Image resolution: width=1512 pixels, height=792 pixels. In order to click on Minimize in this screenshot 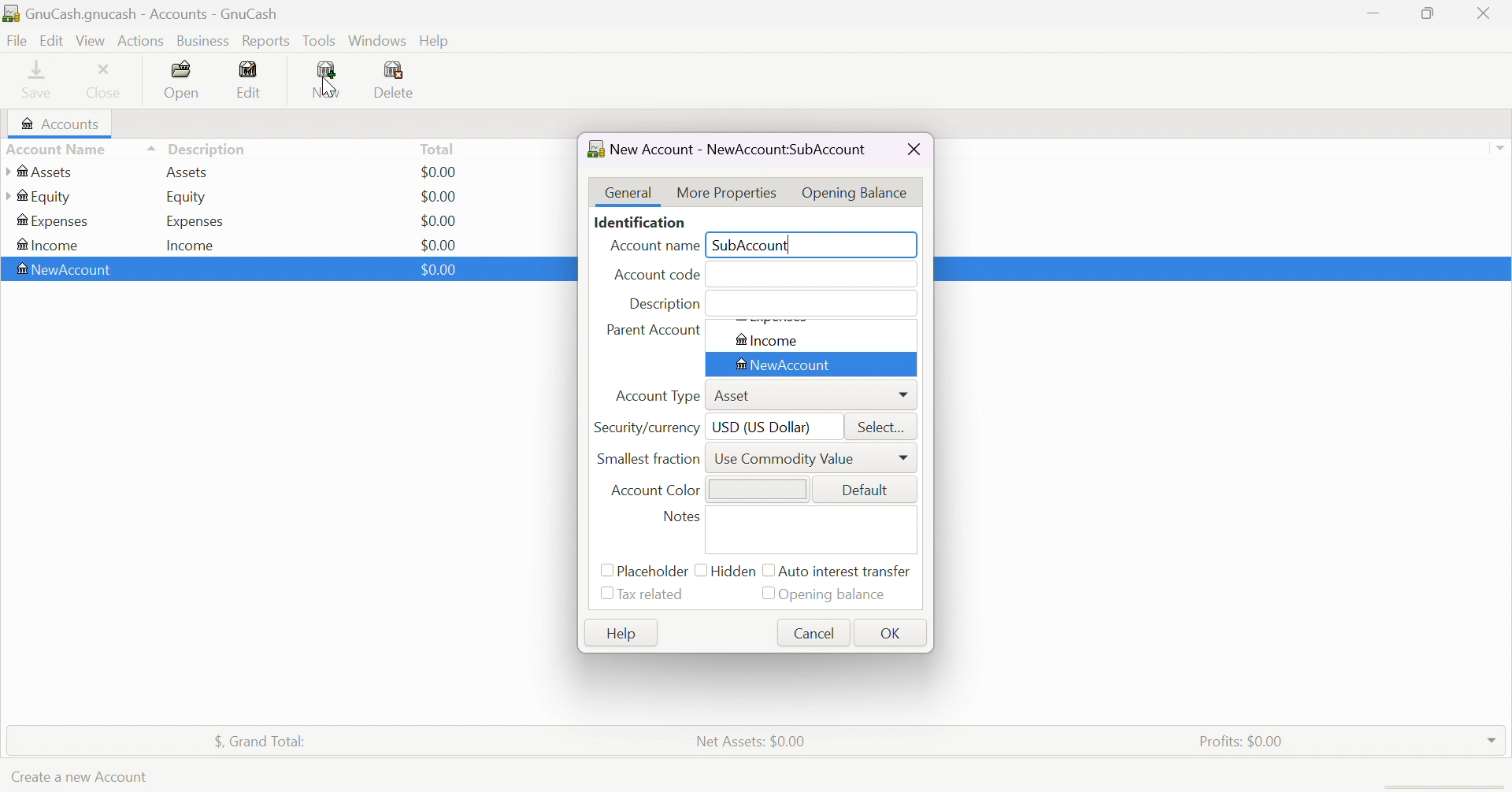, I will do `click(1376, 13)`.